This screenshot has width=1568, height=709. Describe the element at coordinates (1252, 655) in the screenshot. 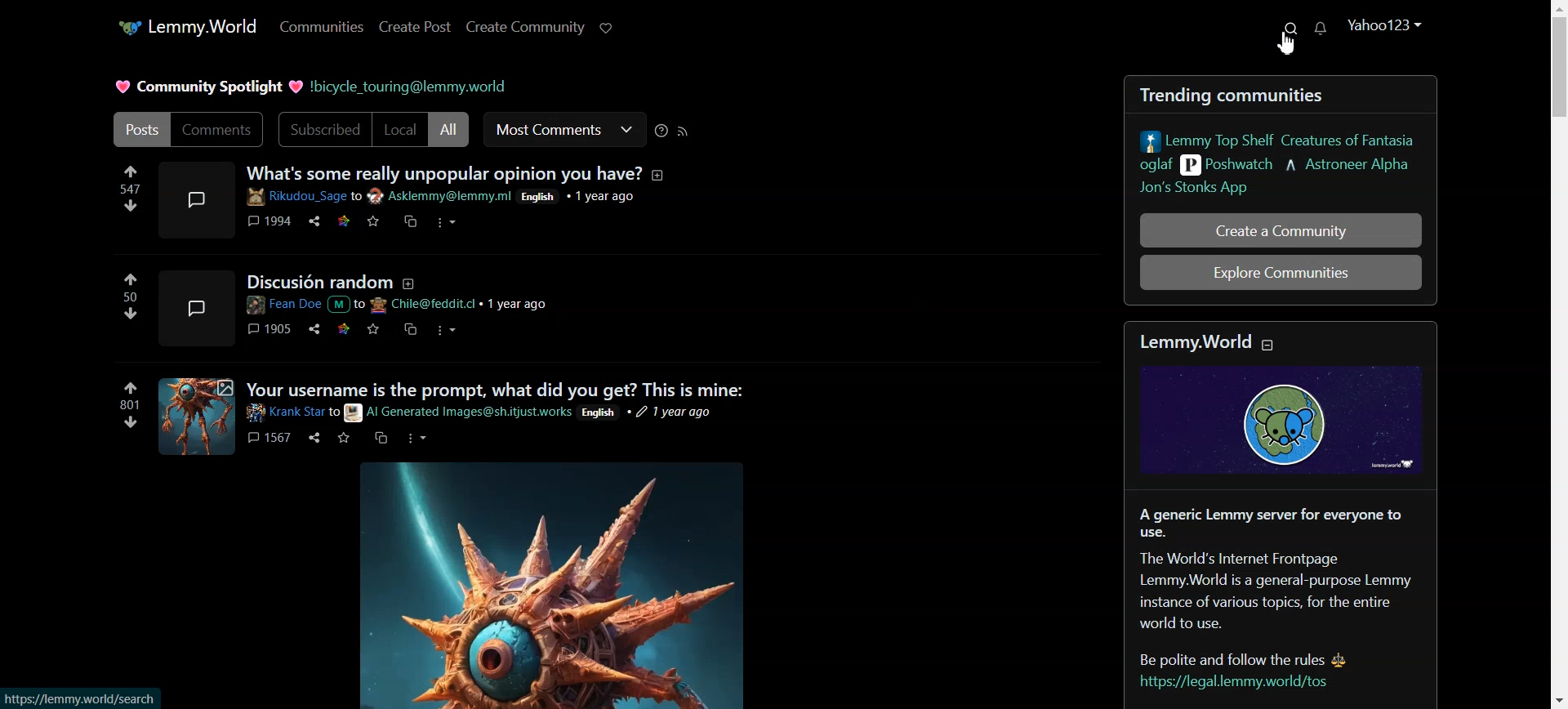

I see `Be polite and follow the rules` at that location.